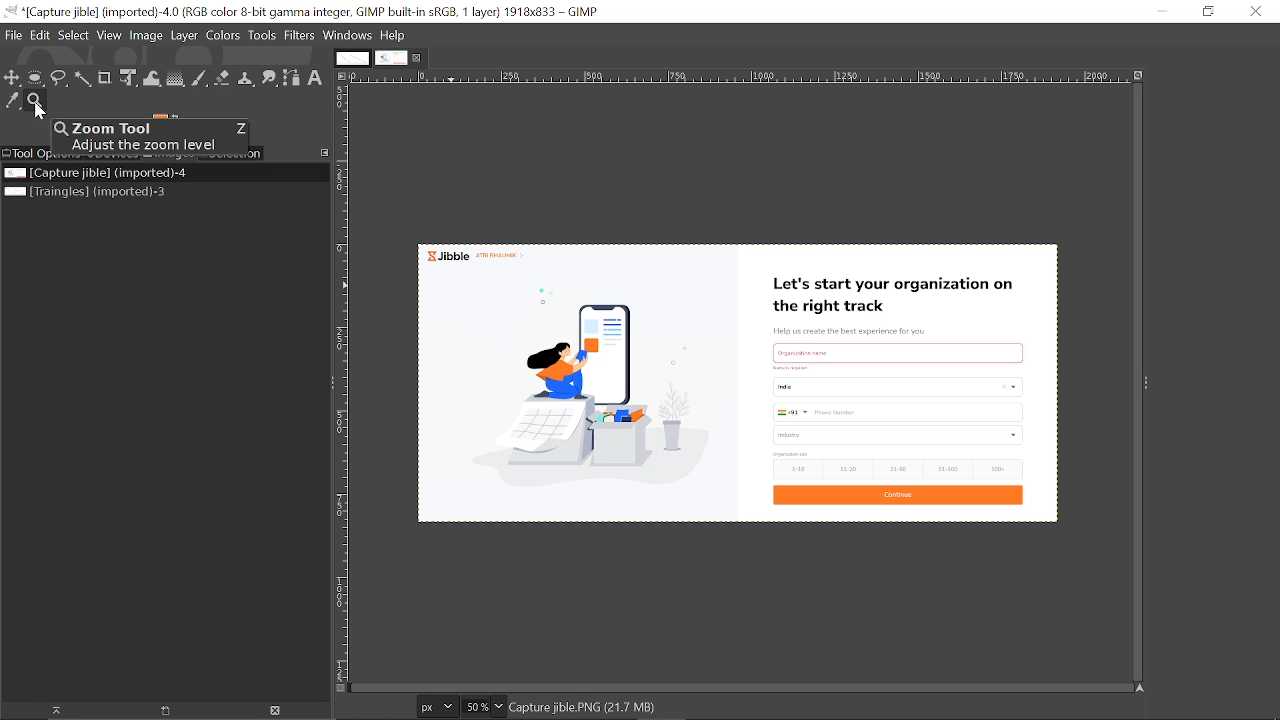 The width and height of the screenshot is (1280, 720). What do you see at coordinates (60, 712) in the screenshot?
I see `Raise this image's display` at bounding box center [60, 712].